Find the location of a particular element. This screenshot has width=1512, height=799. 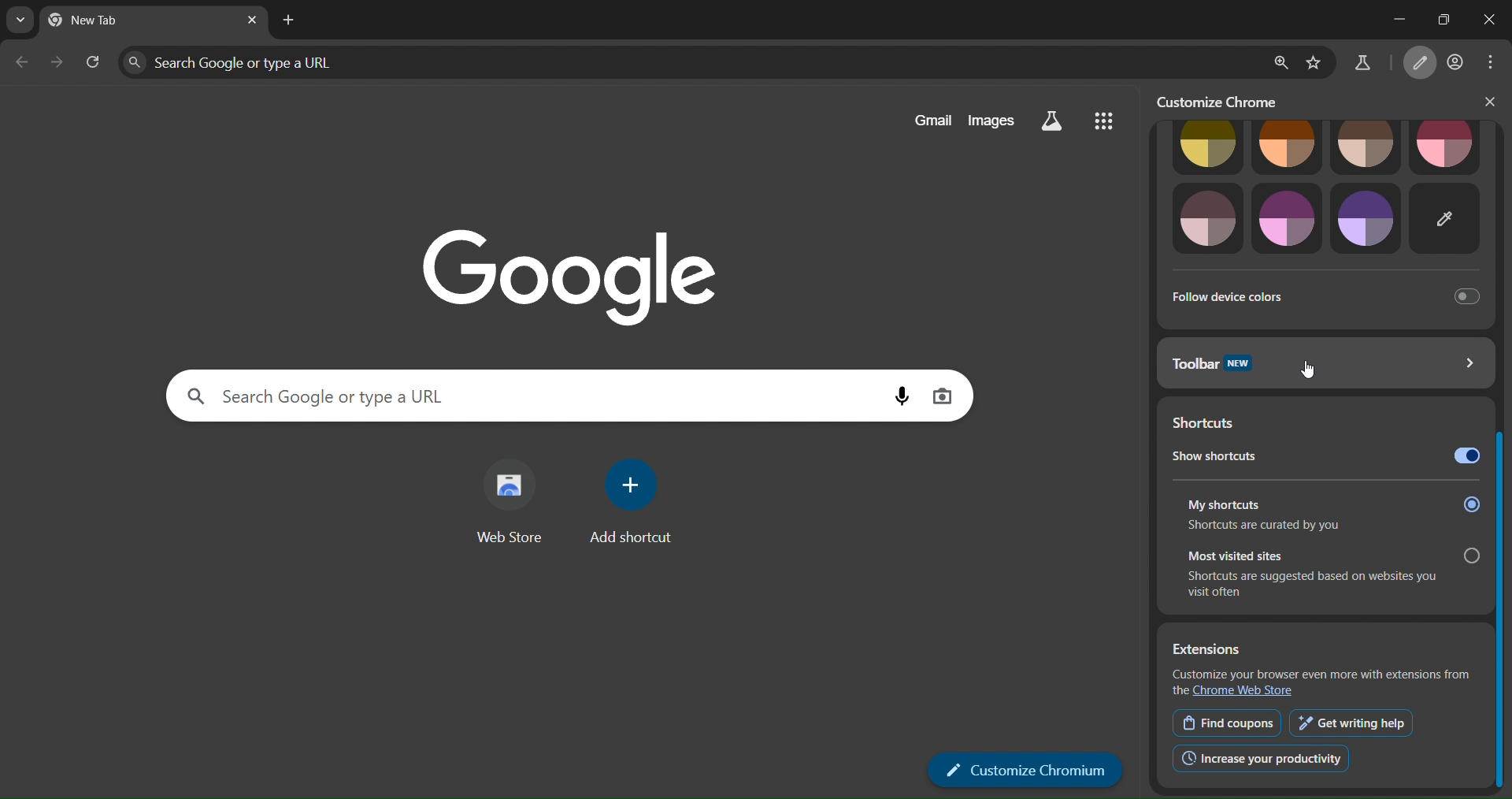

zoom  is located at coordinates (1280, 59).